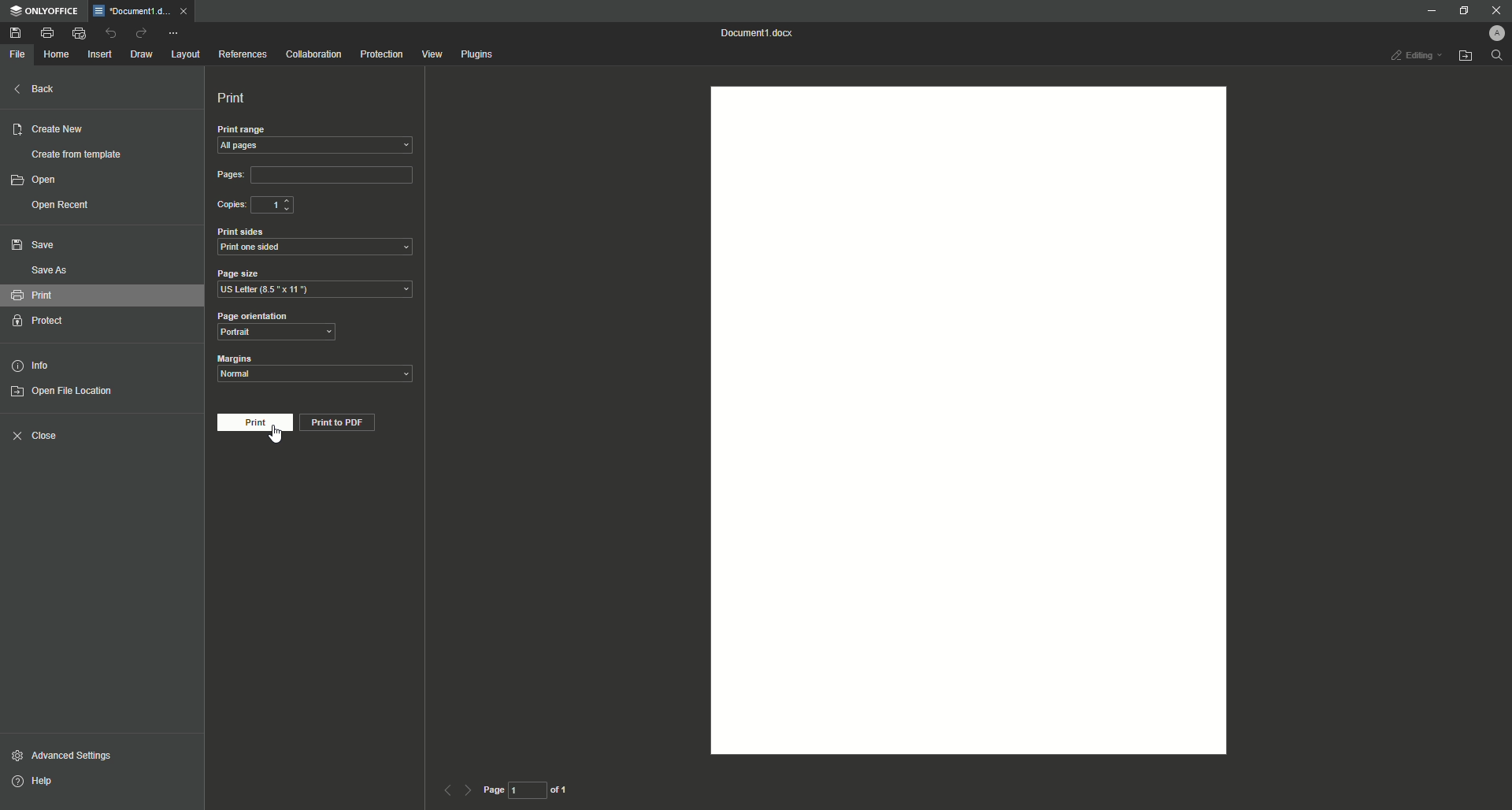 The image size is (1512, 810). Describe the element at coordinates (43, 321) in the screenshot. I see `Protect` at that location.